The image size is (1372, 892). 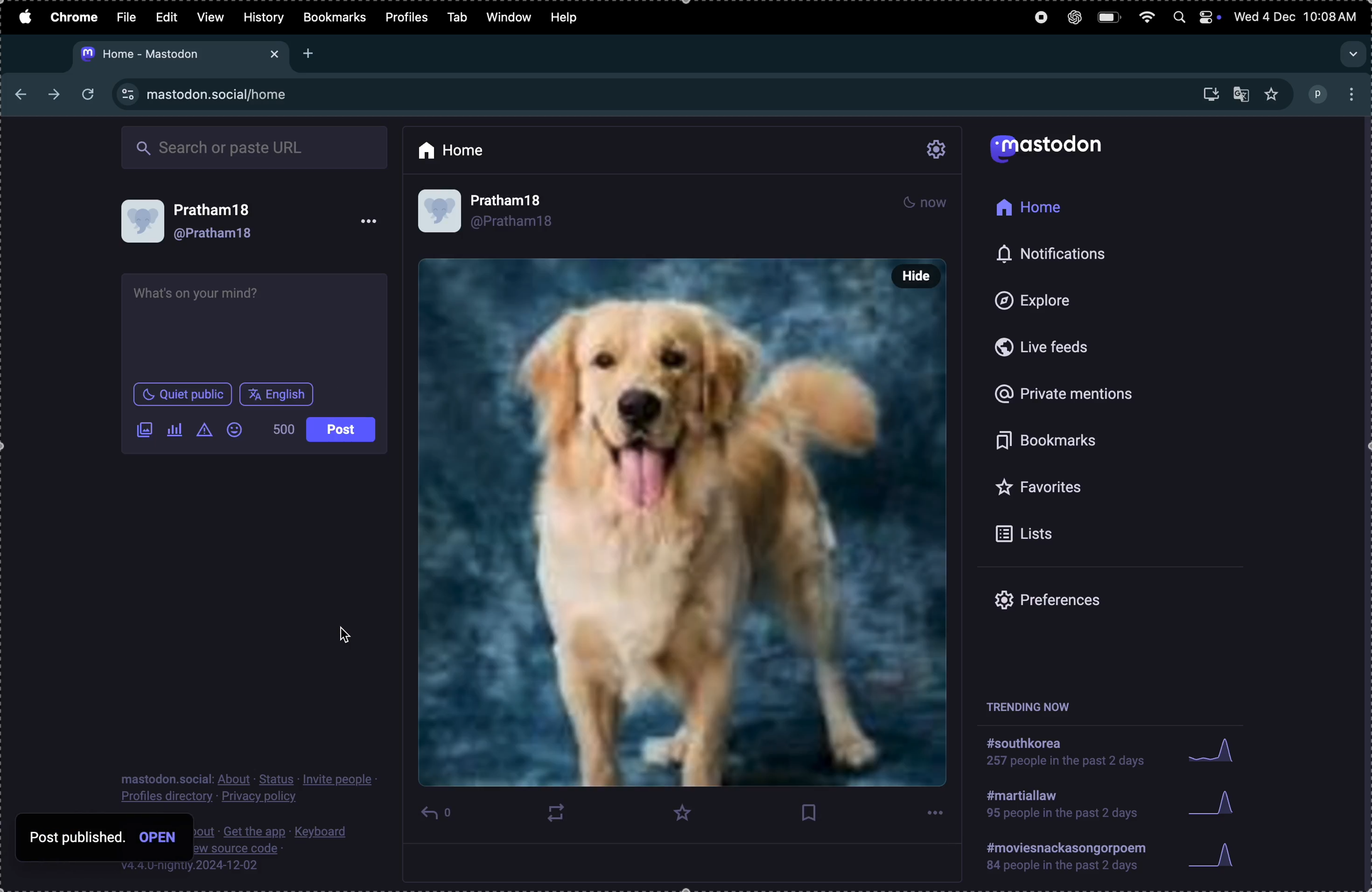 What do you see at coordinates (275, 849) in the screenshot?
I see `source code description` at bounding box center [275, 849].